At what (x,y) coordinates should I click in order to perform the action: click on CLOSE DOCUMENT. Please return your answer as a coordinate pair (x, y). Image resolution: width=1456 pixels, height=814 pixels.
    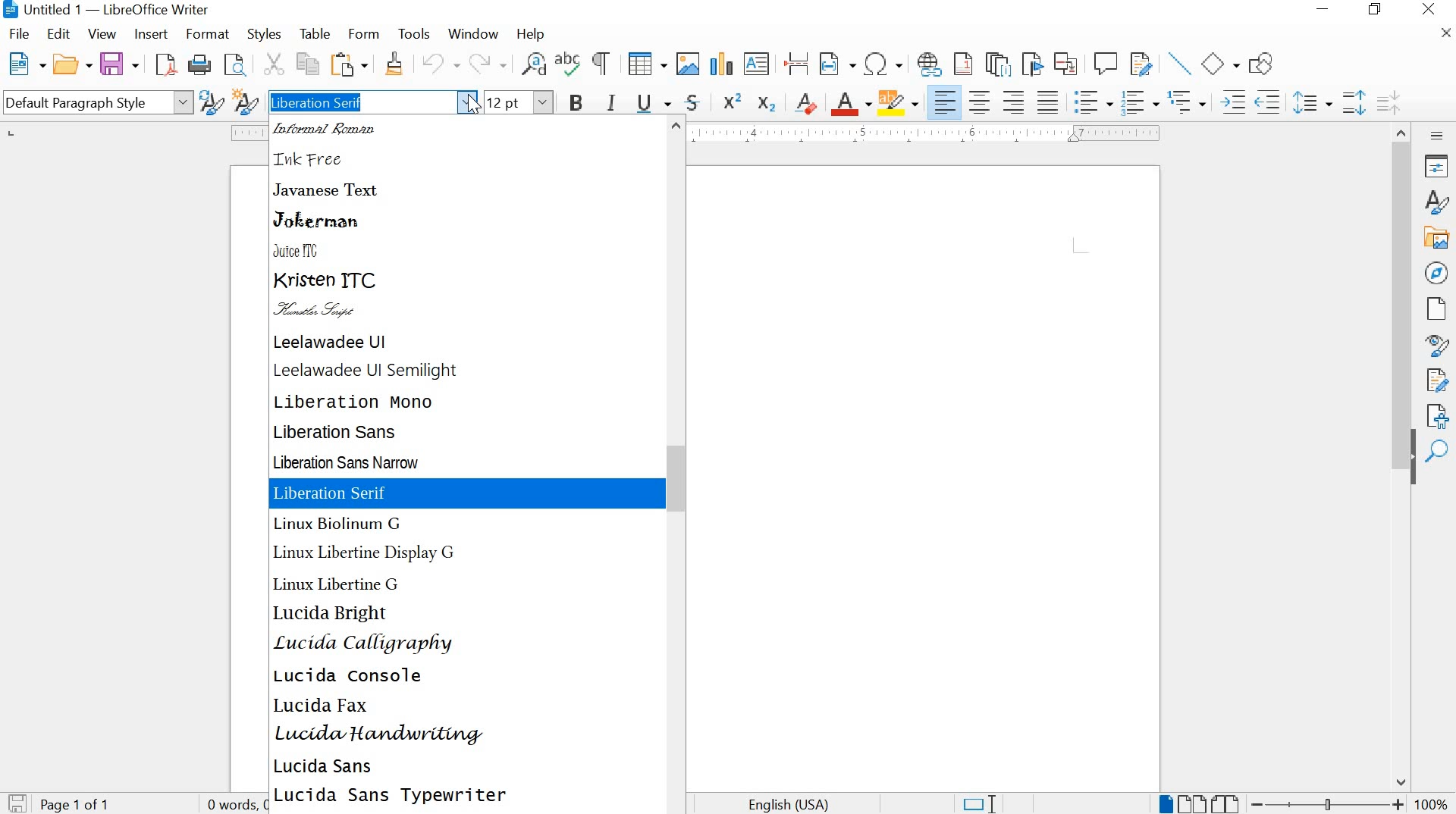
    Looking at the image, I should click on (1444, 33).